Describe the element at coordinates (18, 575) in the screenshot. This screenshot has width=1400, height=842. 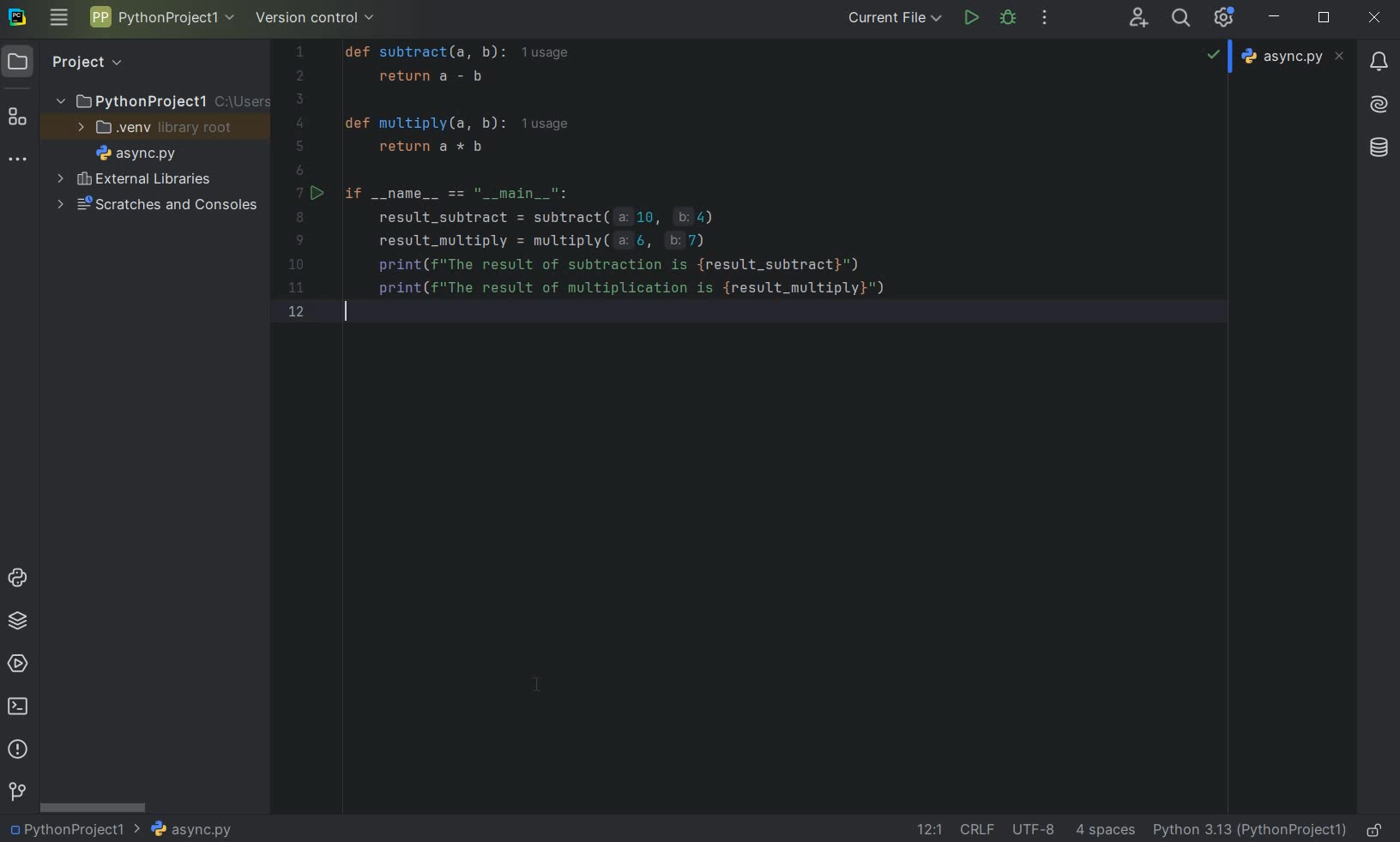
I see `python console` at that location.